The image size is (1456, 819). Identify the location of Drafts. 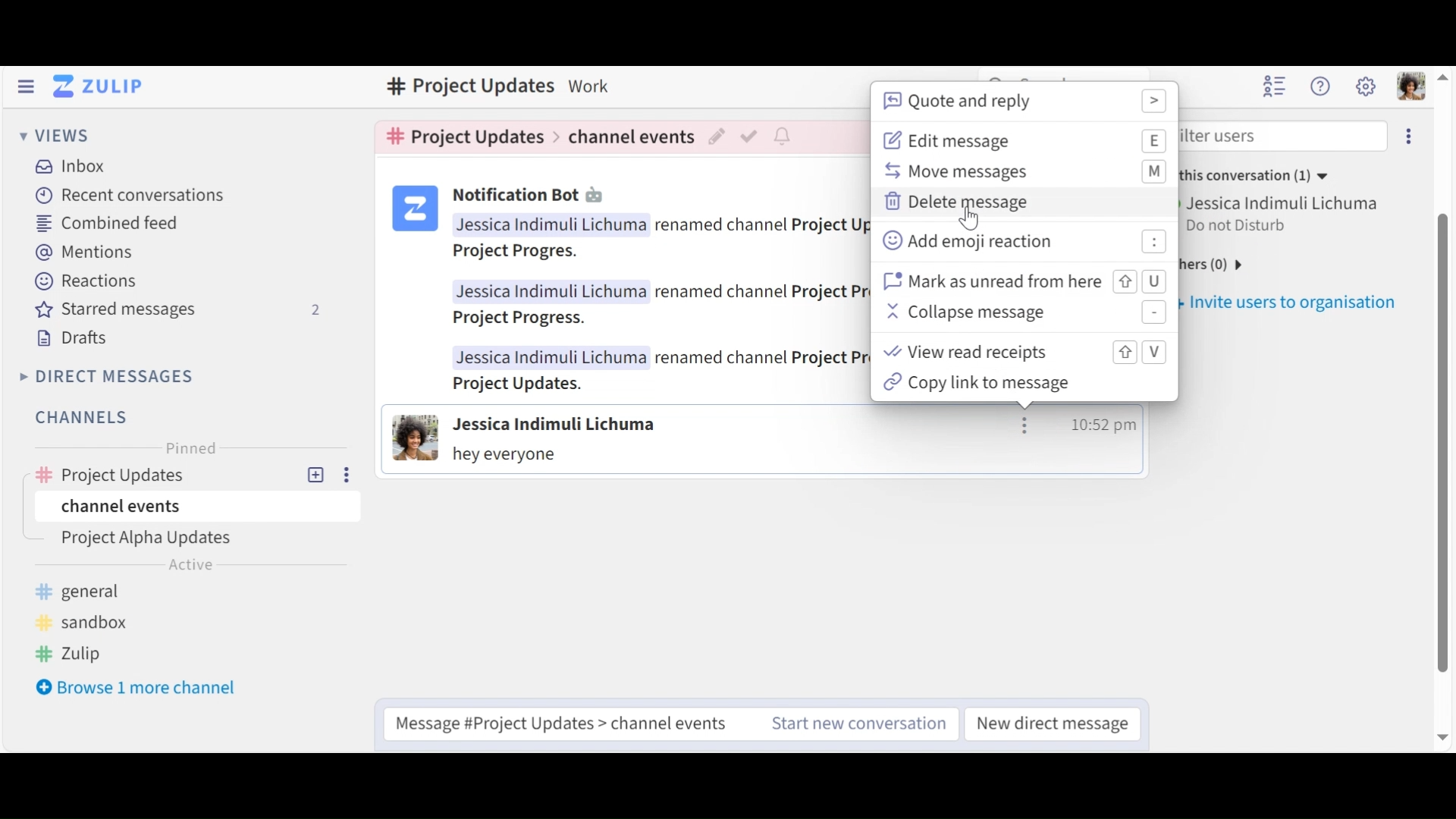
(75, 339).